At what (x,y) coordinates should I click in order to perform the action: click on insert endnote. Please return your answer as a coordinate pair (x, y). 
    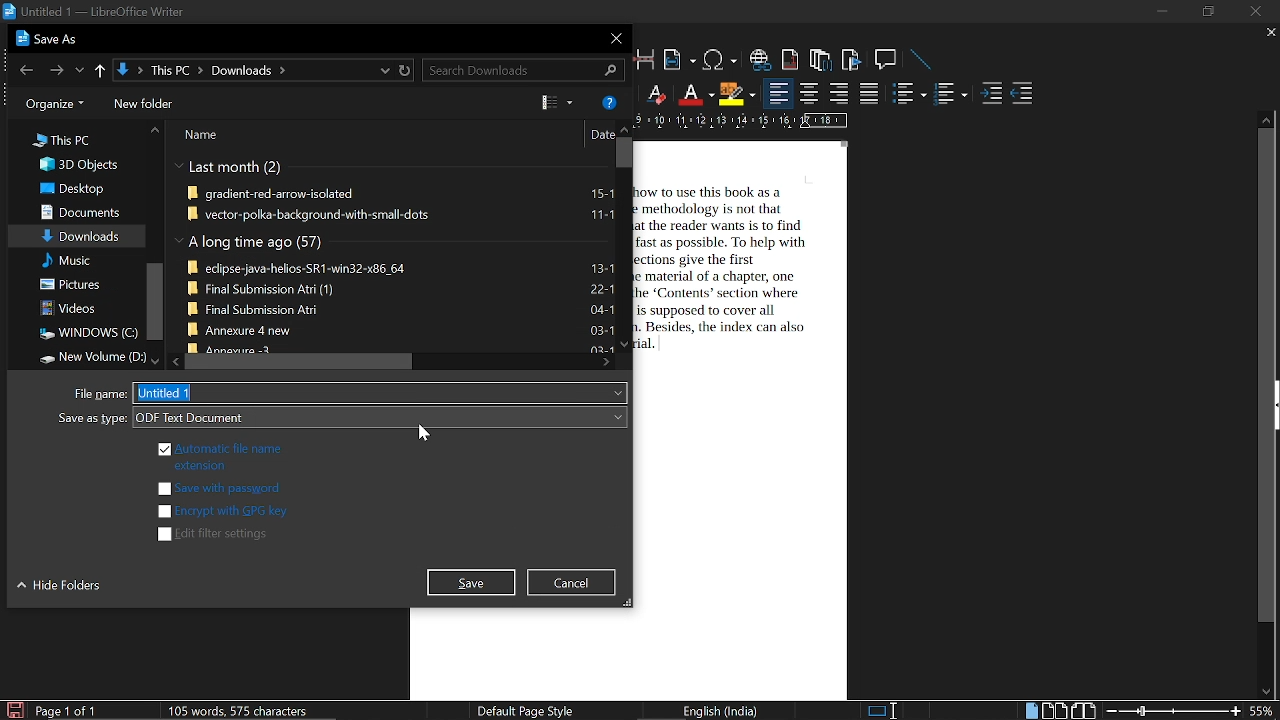
    Looking at the image, I should click on (820, 58).